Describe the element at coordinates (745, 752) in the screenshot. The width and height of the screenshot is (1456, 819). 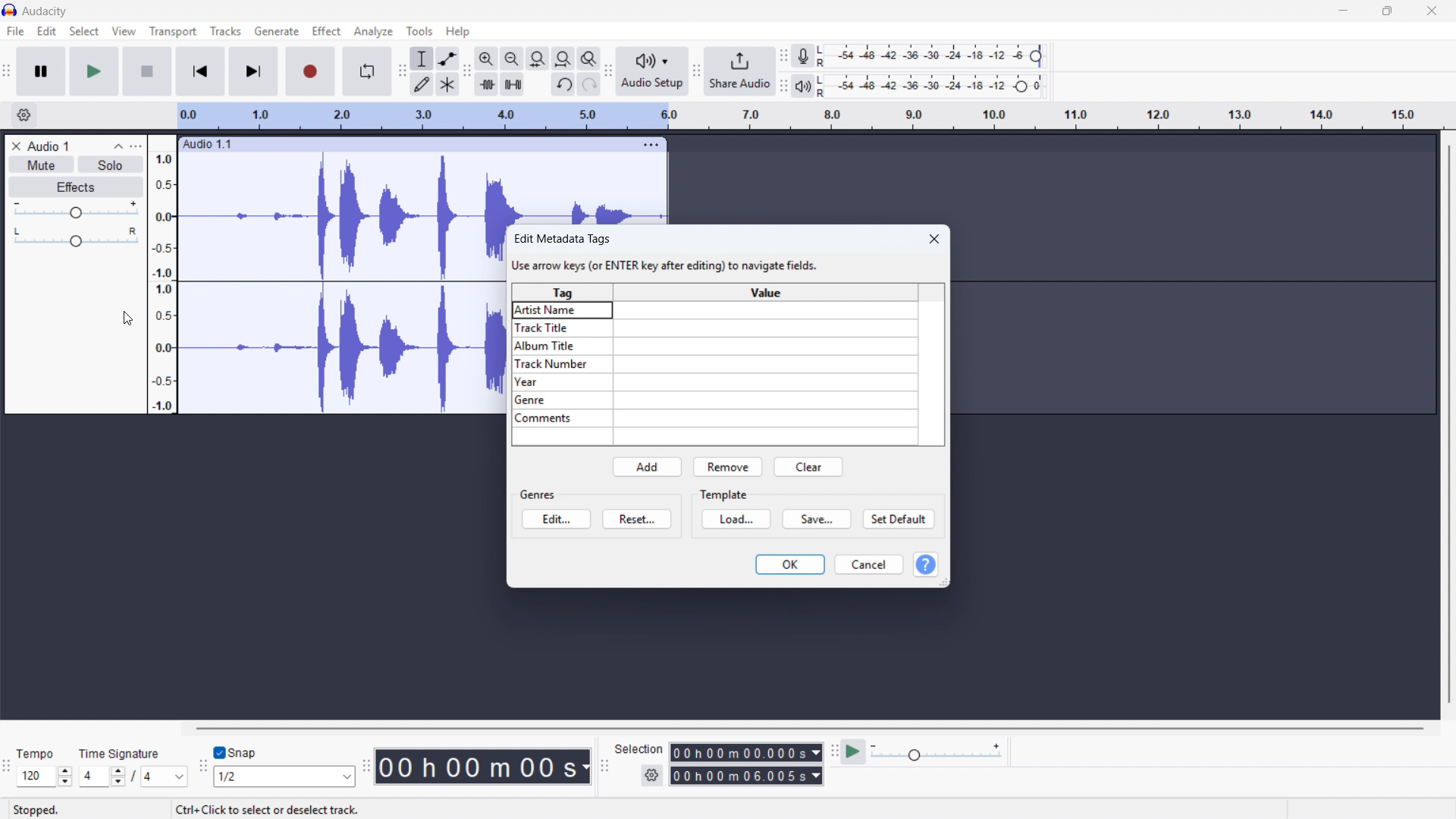
I see `start time` at that location.